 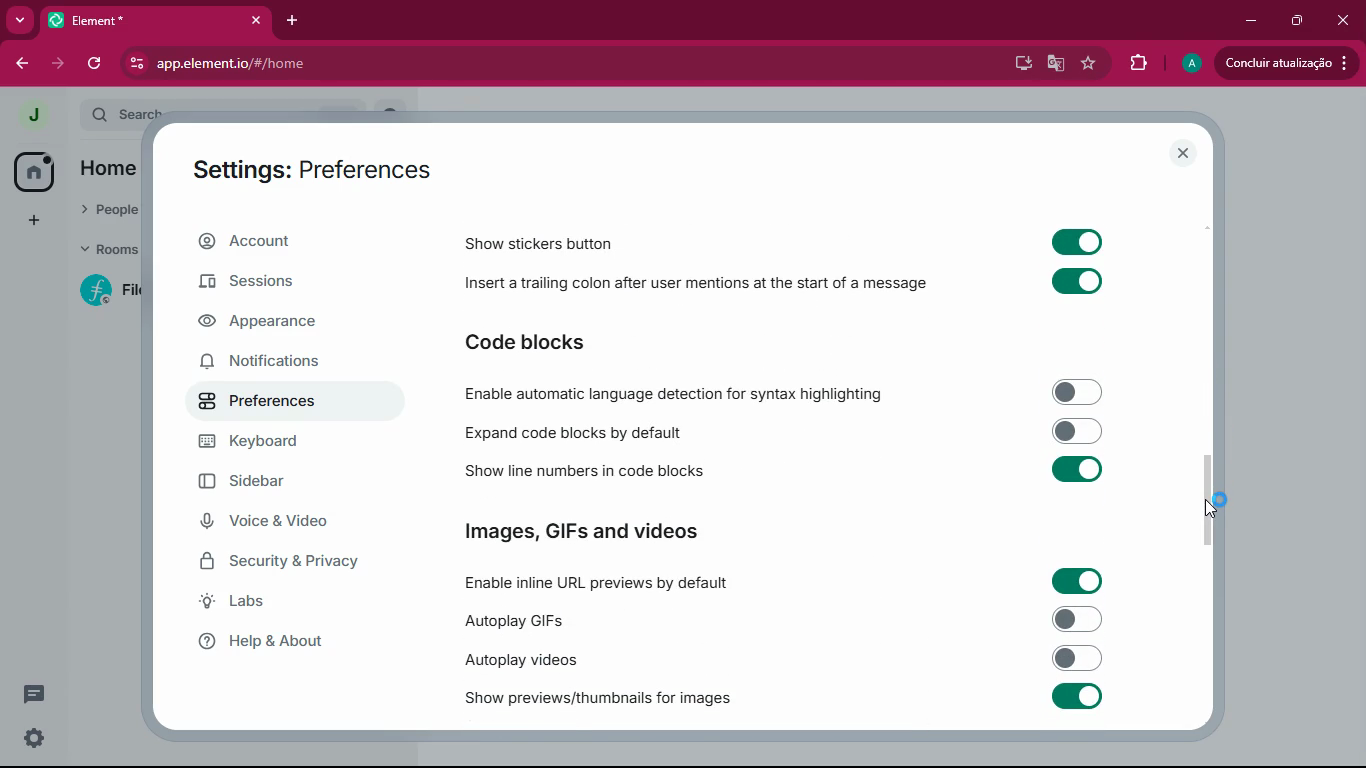 I want to click on Settings : Preferences, so click(x=307, y=167).